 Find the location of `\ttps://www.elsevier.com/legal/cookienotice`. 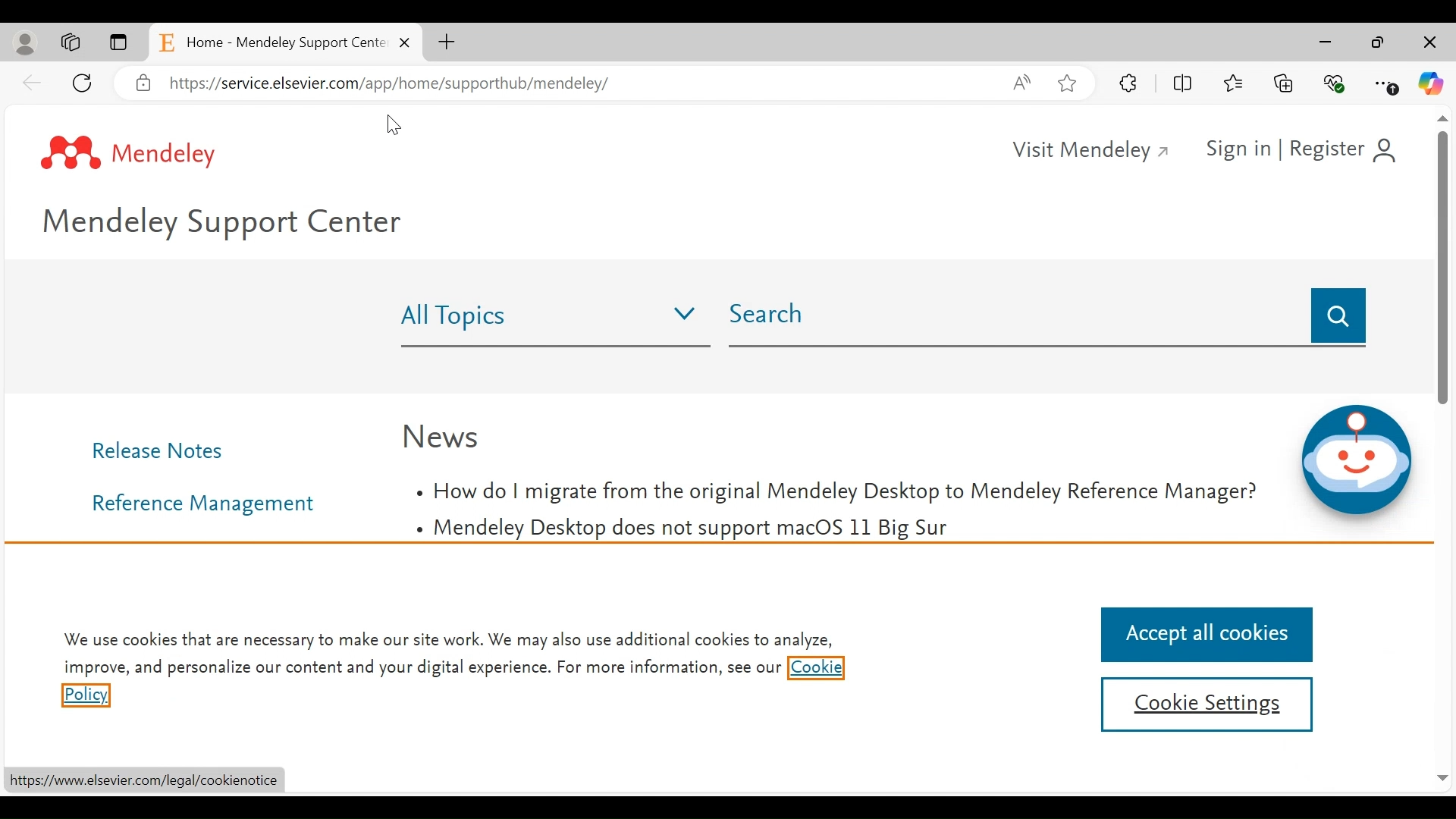

\ttps://www.elsevier.com/legal/cookienotice is located at coordinates (152, 780).